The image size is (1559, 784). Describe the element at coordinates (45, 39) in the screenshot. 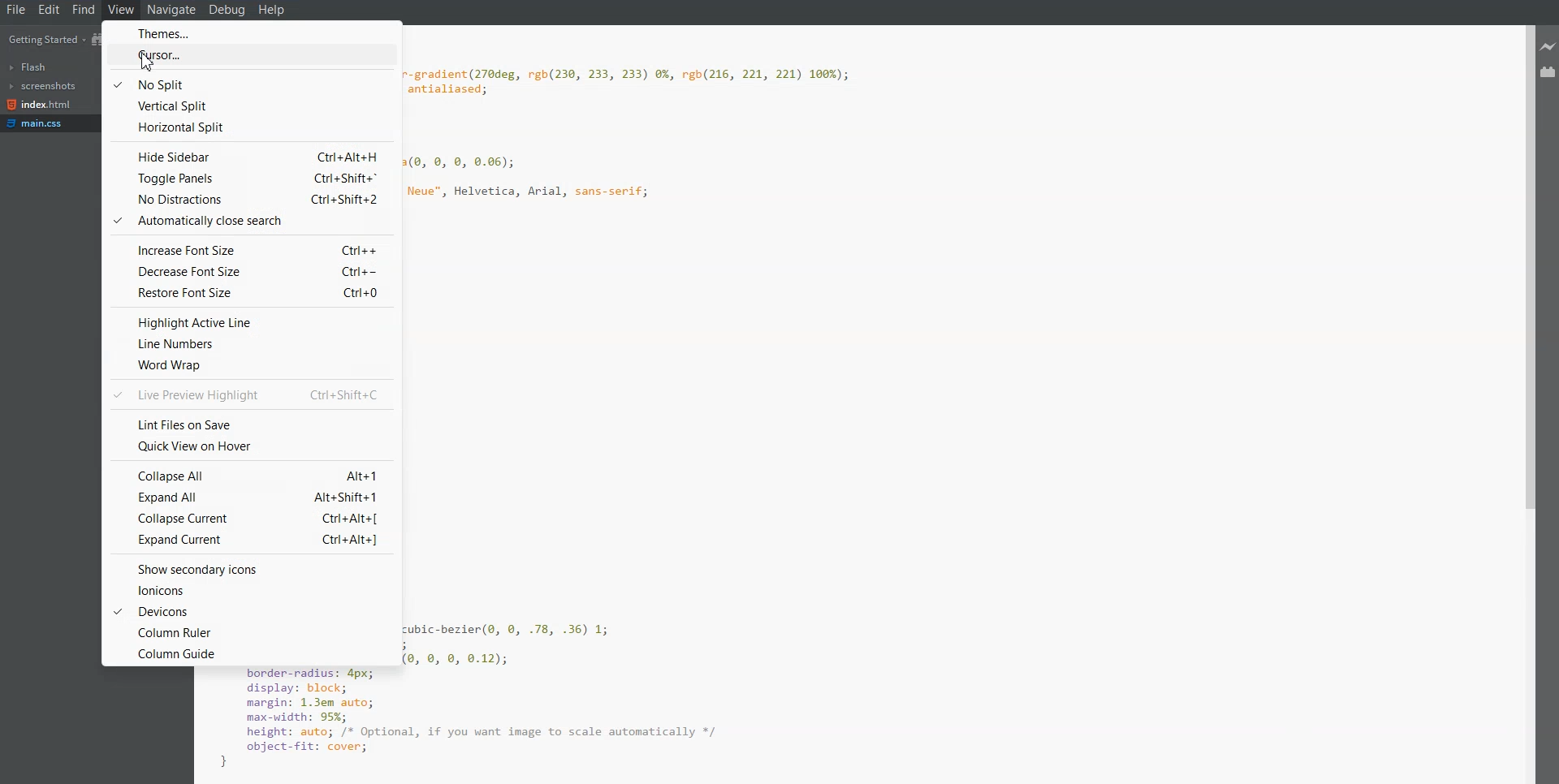

I see `Getting Started` at that location.